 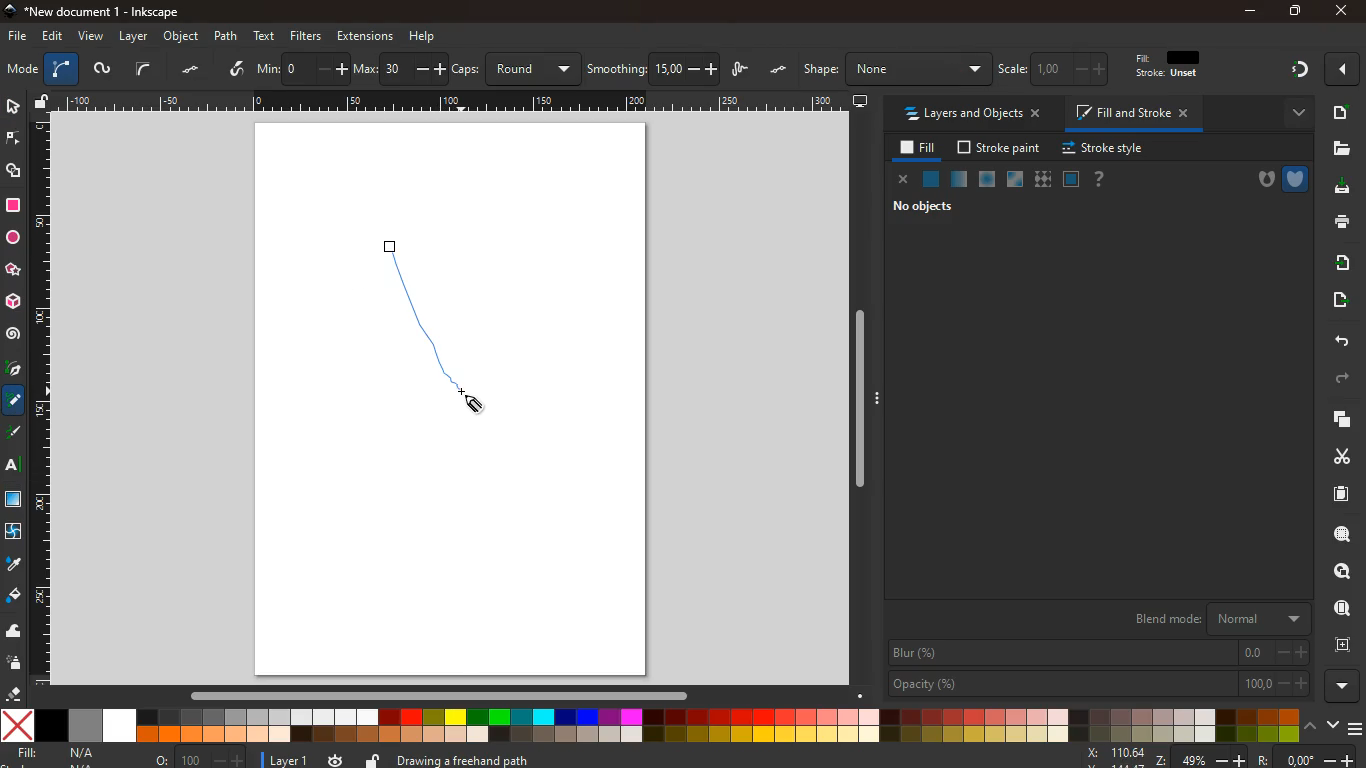 I want to click on layer, so click(x=290, y=761).